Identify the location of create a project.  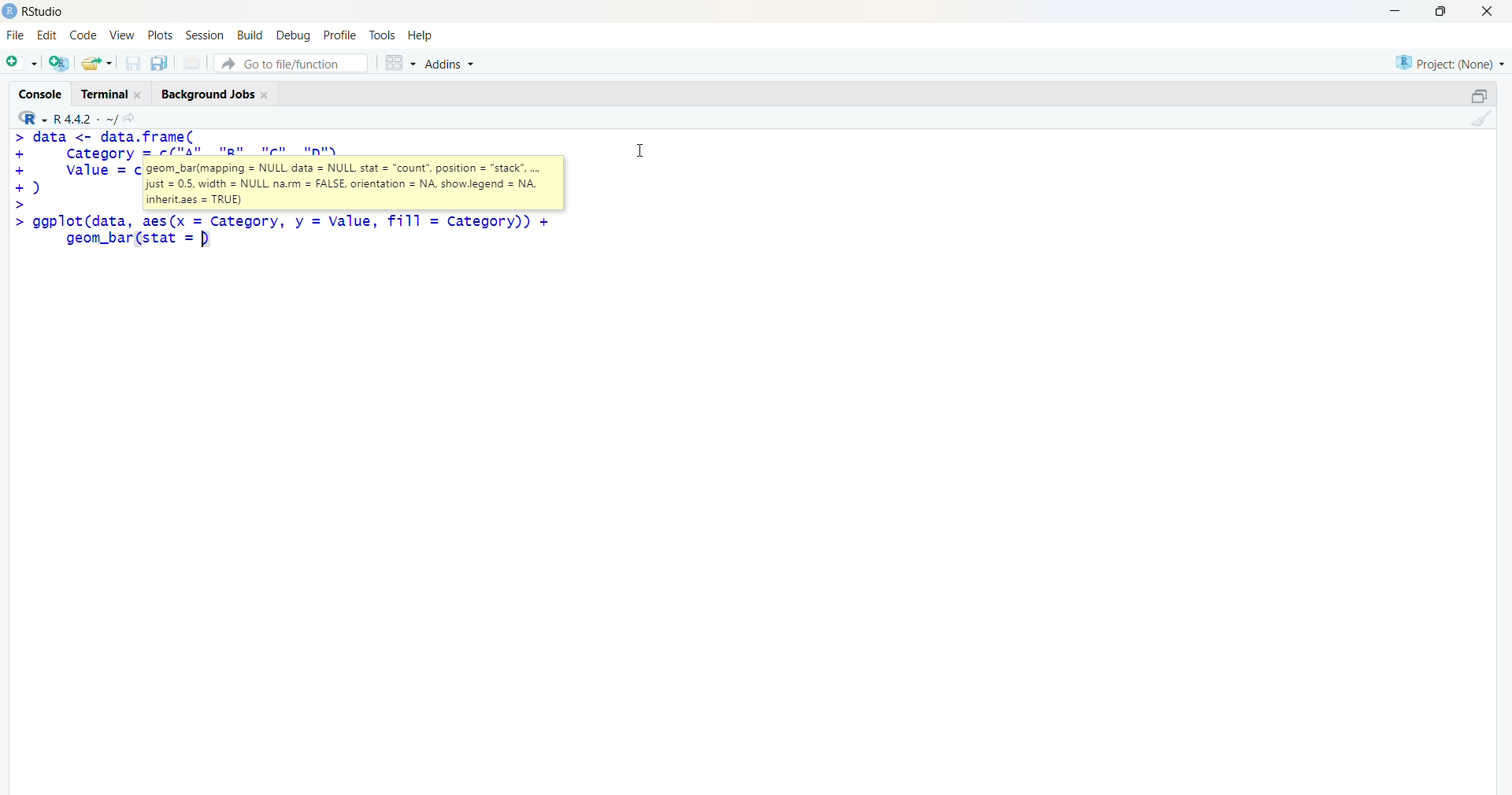
(58, 62).